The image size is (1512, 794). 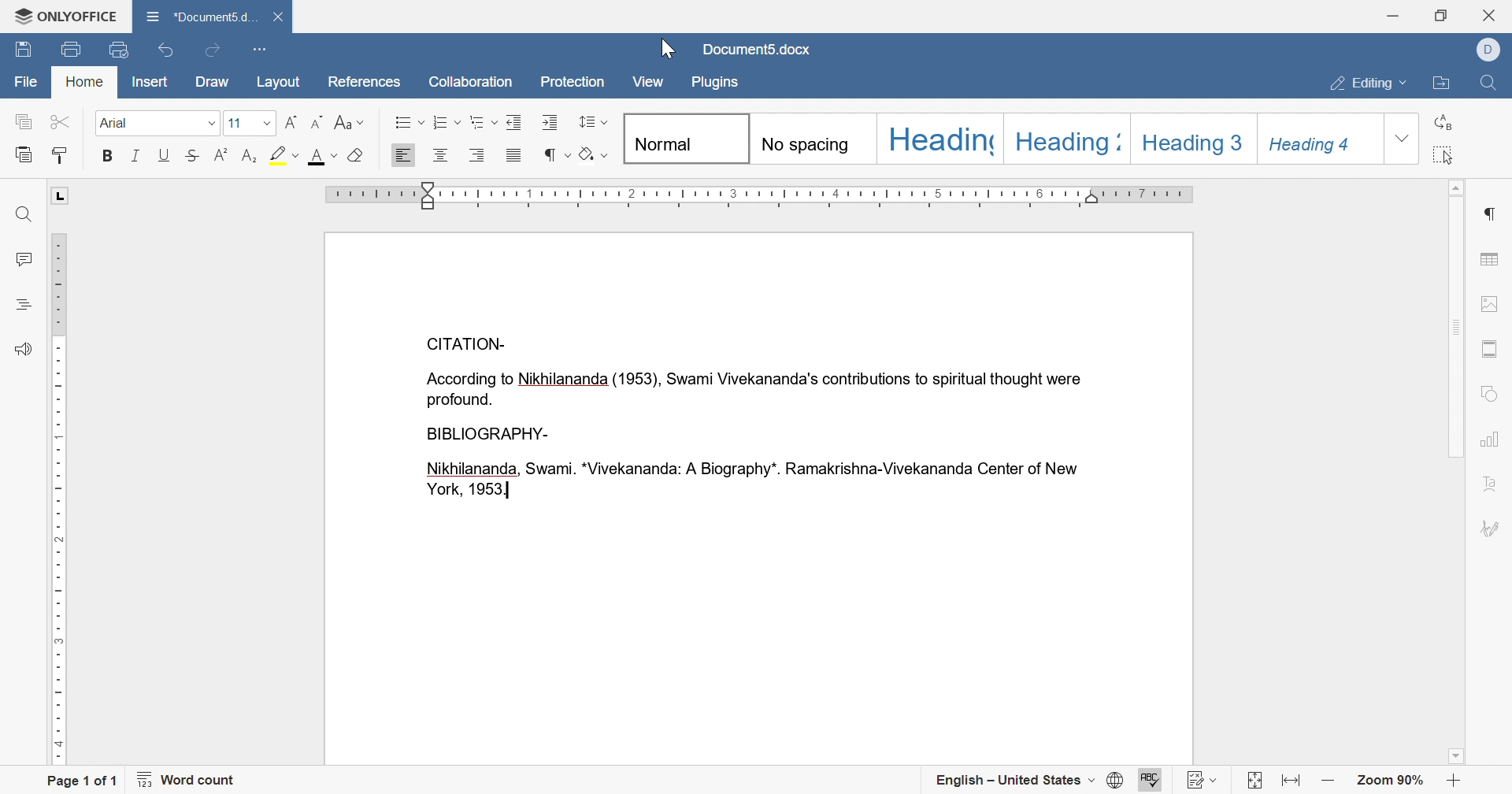 What do you see at coordinates (685, 139) in the screenshot?
I see `Normal` at bounding box center [685, 139].